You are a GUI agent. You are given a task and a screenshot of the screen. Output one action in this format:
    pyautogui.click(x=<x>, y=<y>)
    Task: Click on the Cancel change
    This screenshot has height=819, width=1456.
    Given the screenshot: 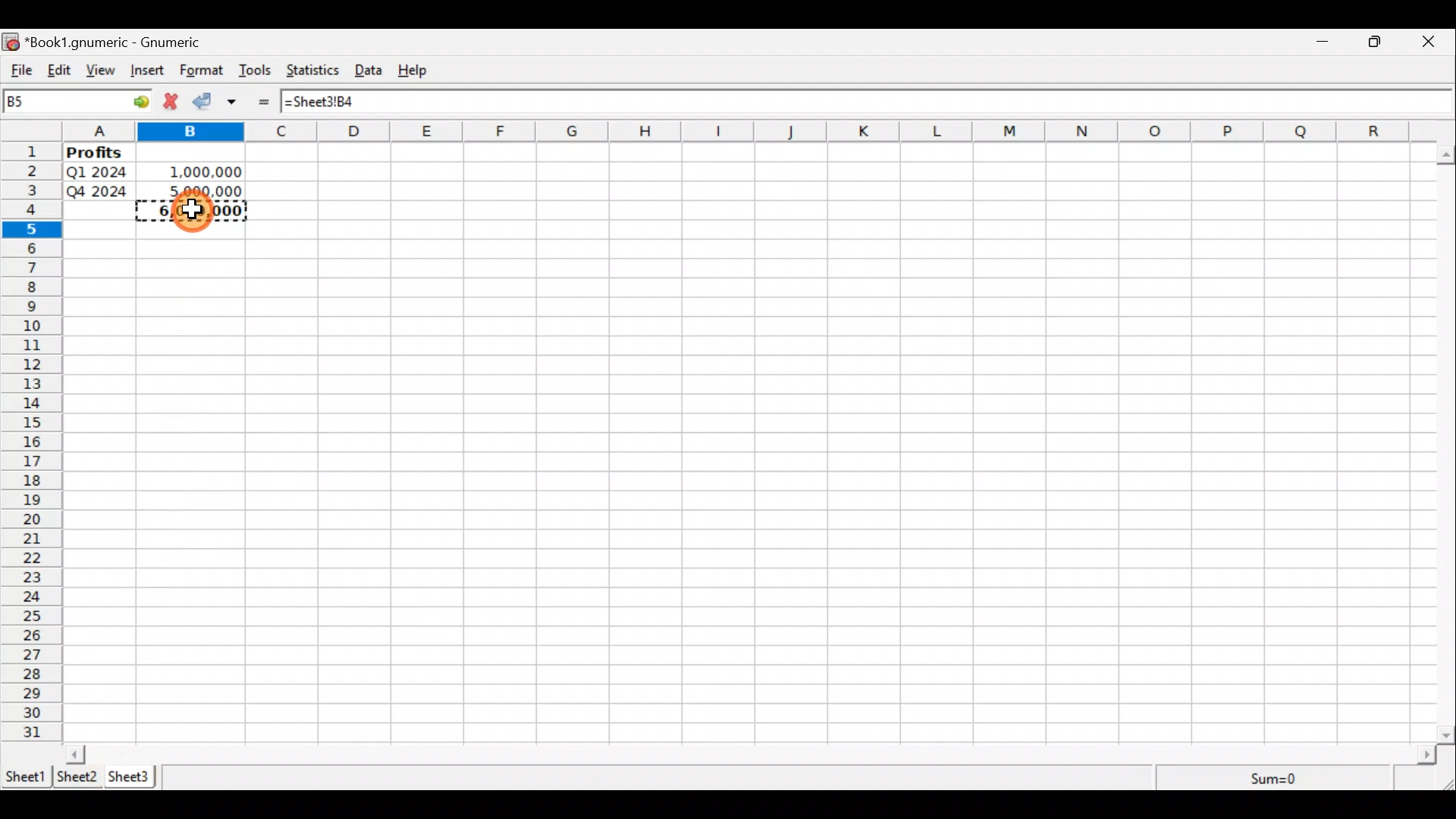 What is the action you would take?
    pyautogui.click(x=174, y=103)
    